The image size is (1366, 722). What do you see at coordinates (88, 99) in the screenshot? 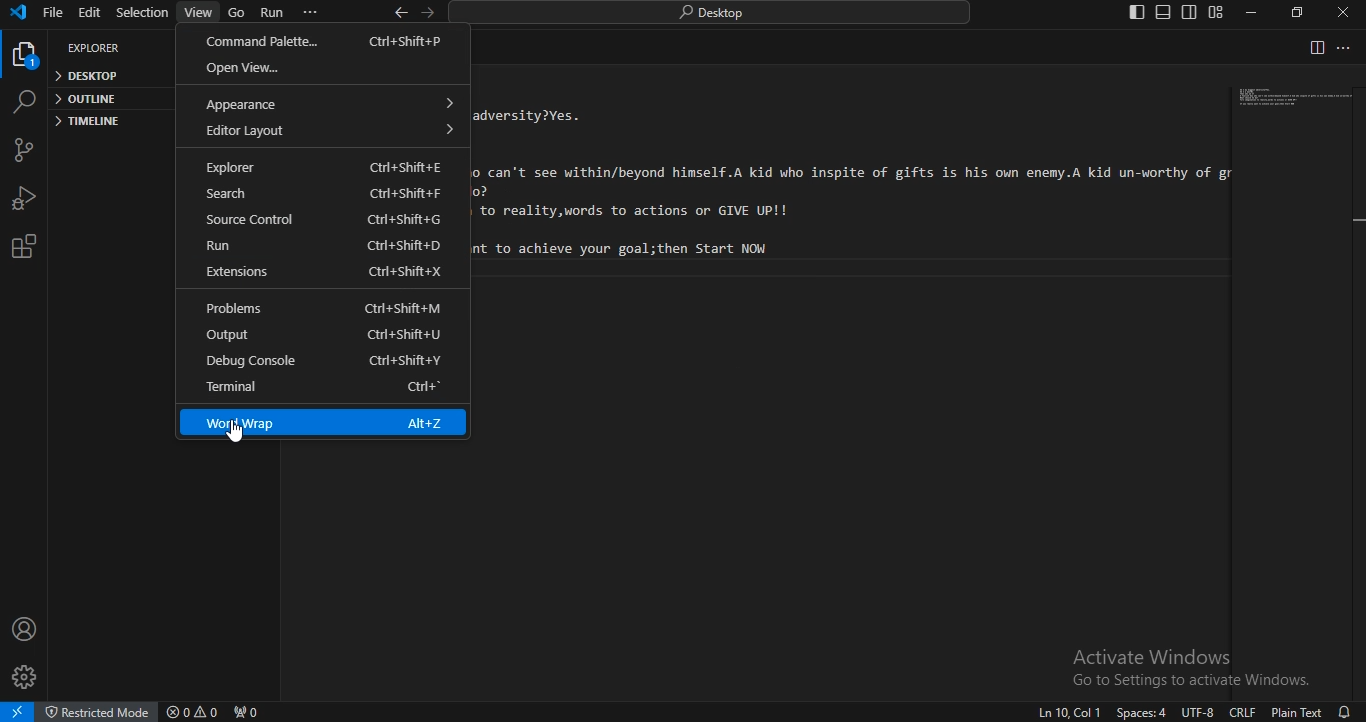
I see `outline` at bounding box center [88, 99].